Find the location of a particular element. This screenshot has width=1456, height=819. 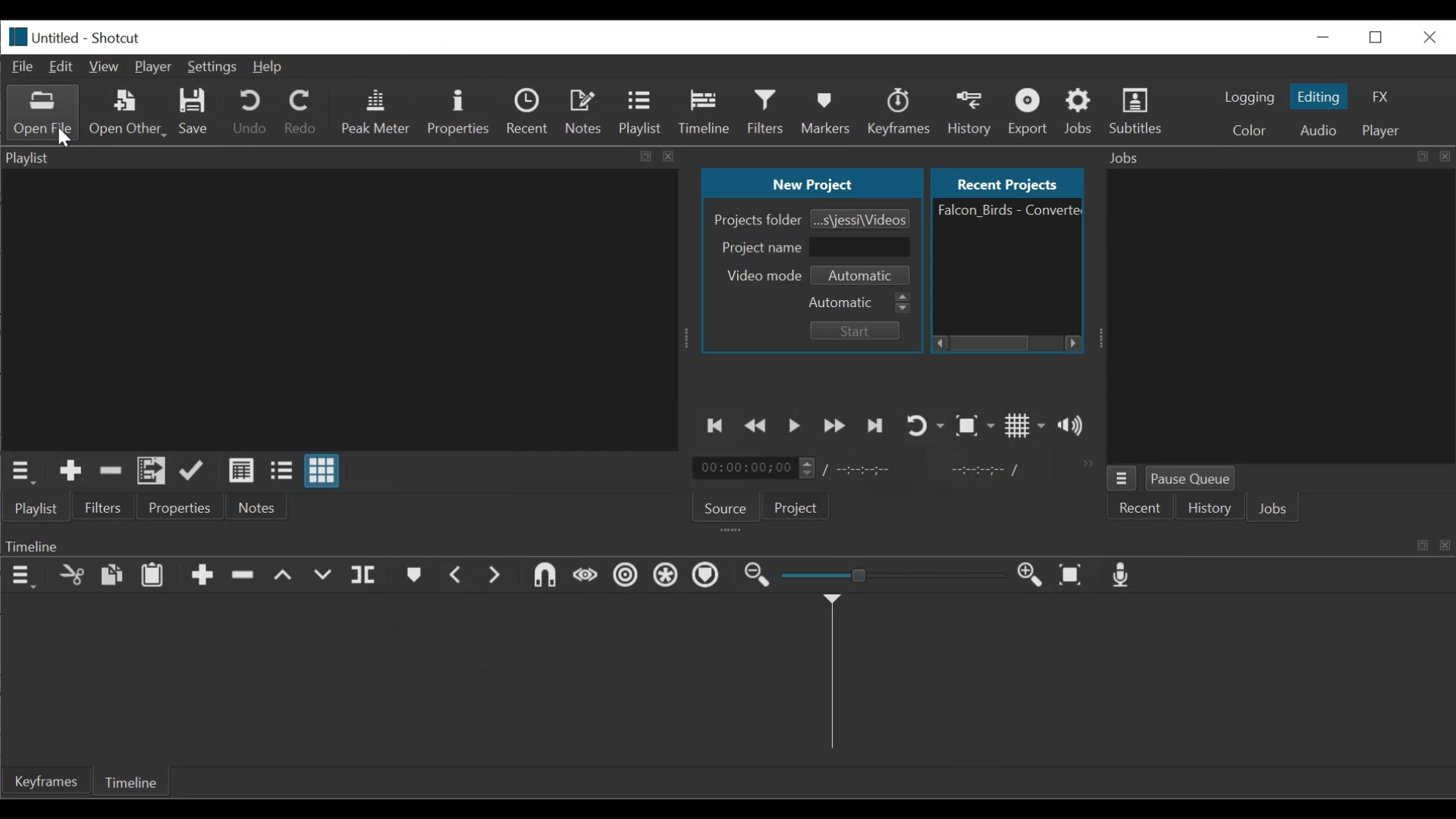

Show volume control is located at coordinates (1073, 426).